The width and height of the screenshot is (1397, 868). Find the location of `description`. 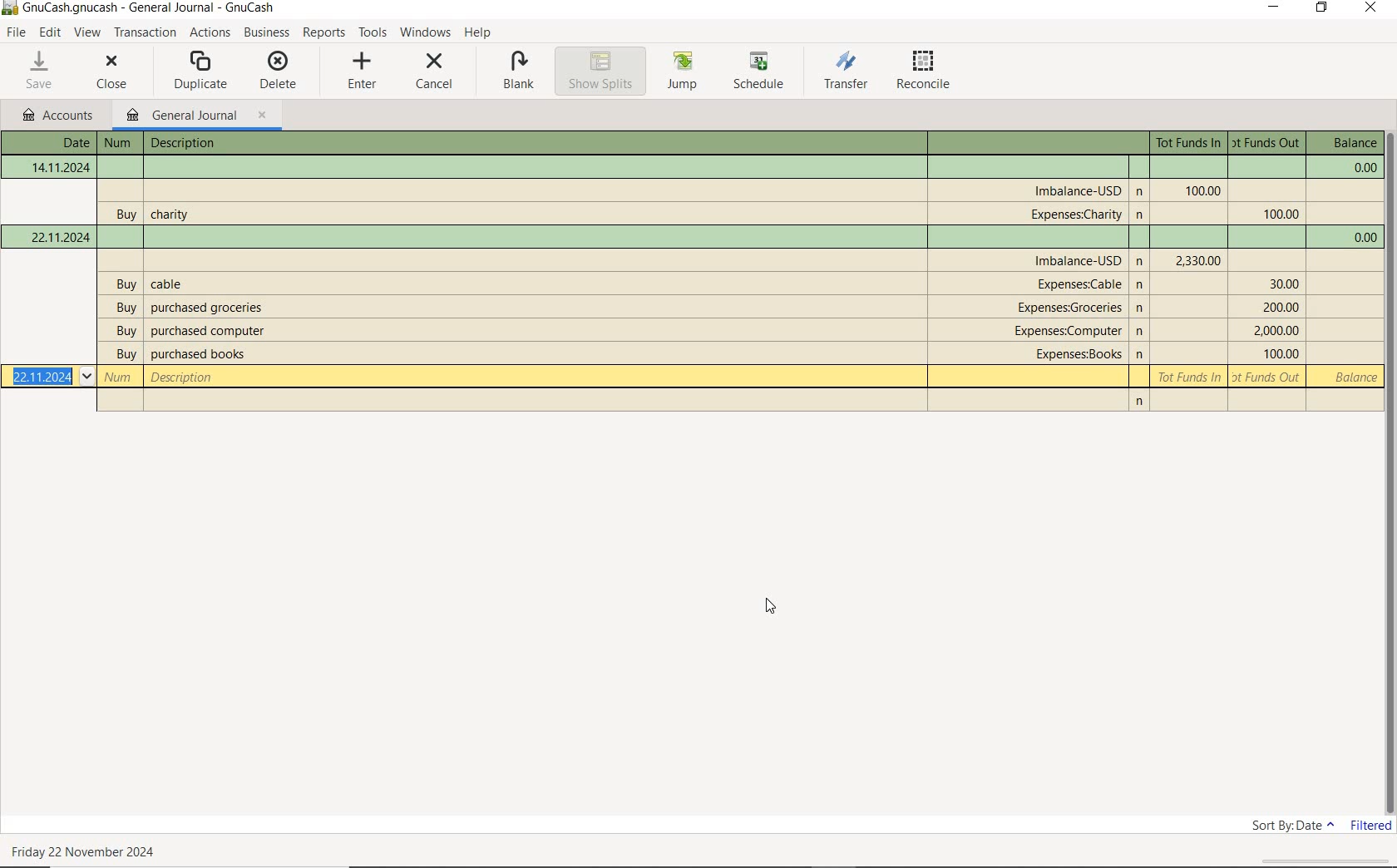

description is located at coordinates (186, 144).